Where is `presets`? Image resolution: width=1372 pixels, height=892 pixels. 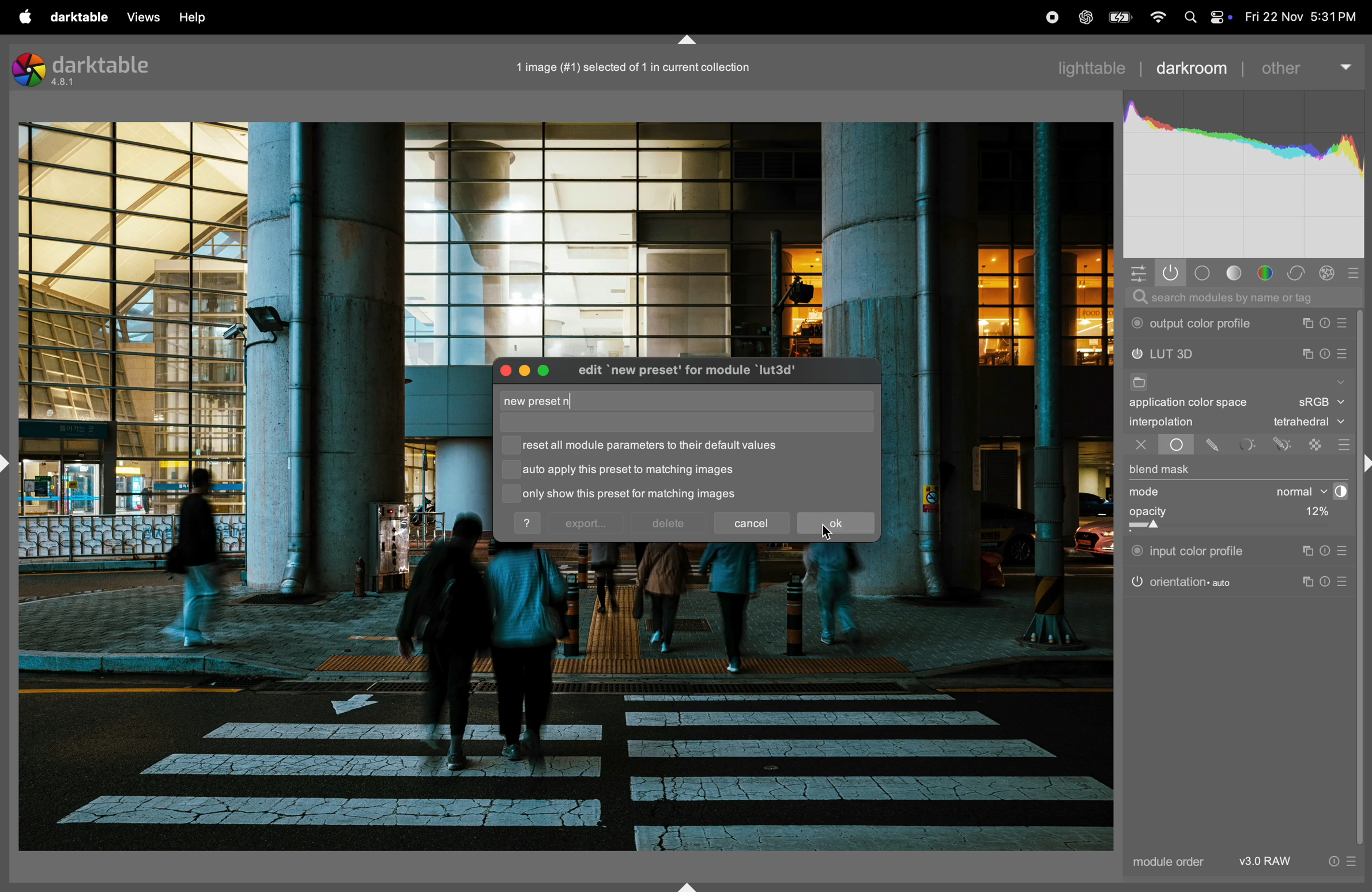
presets is located at coordinates (1359, 271).